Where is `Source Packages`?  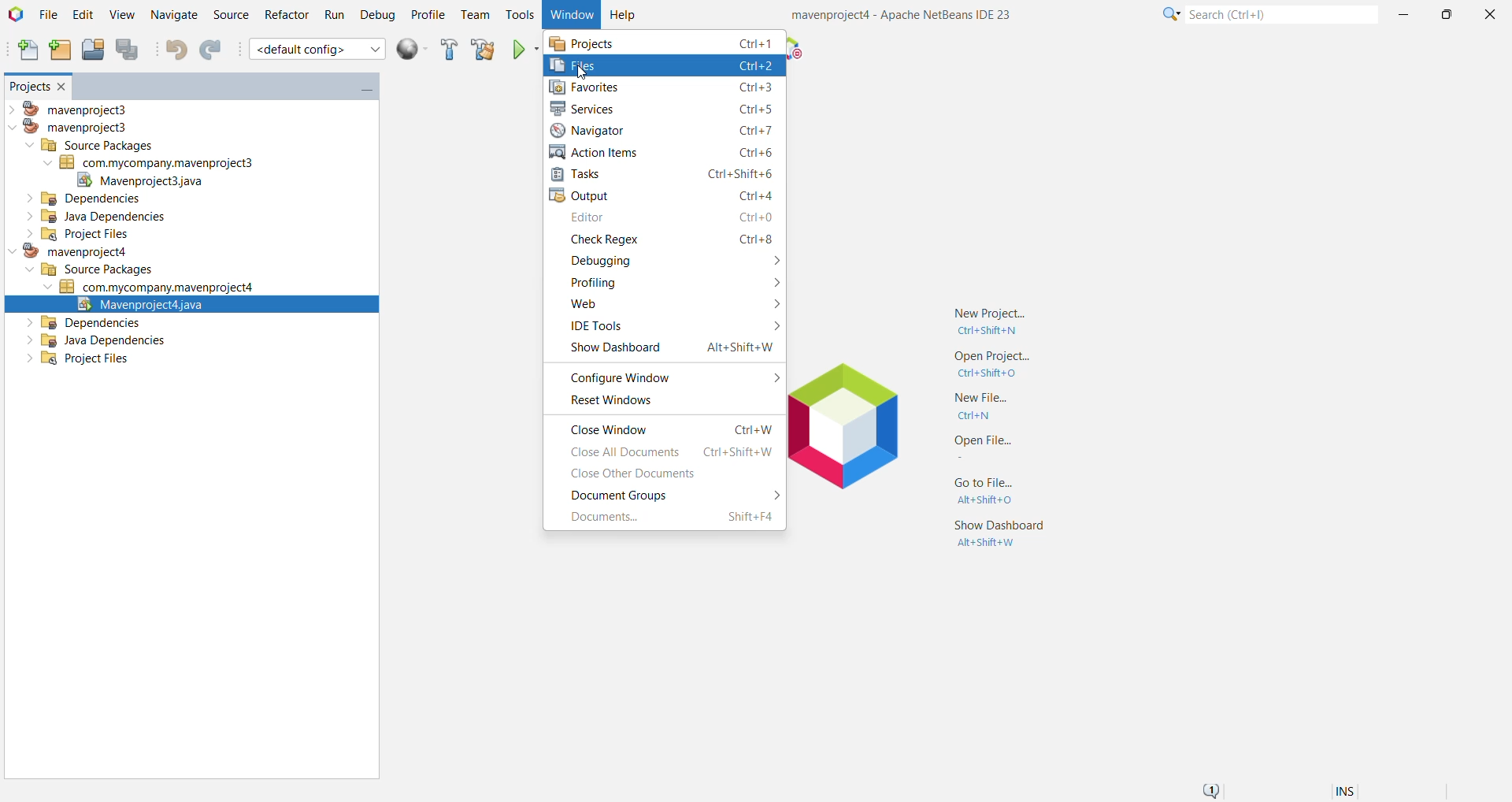
Source Packages is located at coordinates (91, 269).